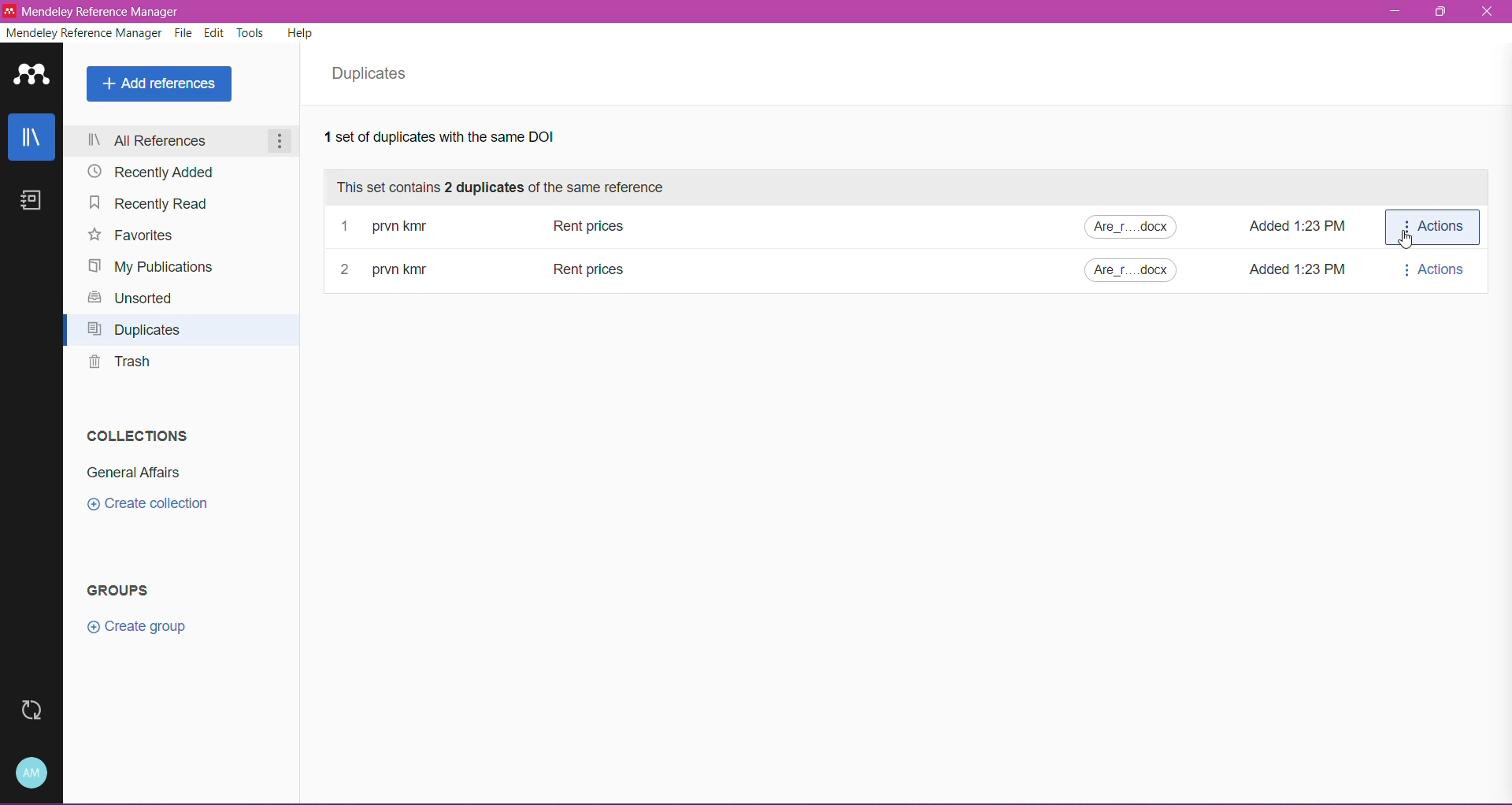 The width and height of the screenshot is (1512, 805). Describe the element at coordinates (101, 12) in the screenshot. I see `Application Name` at that location.